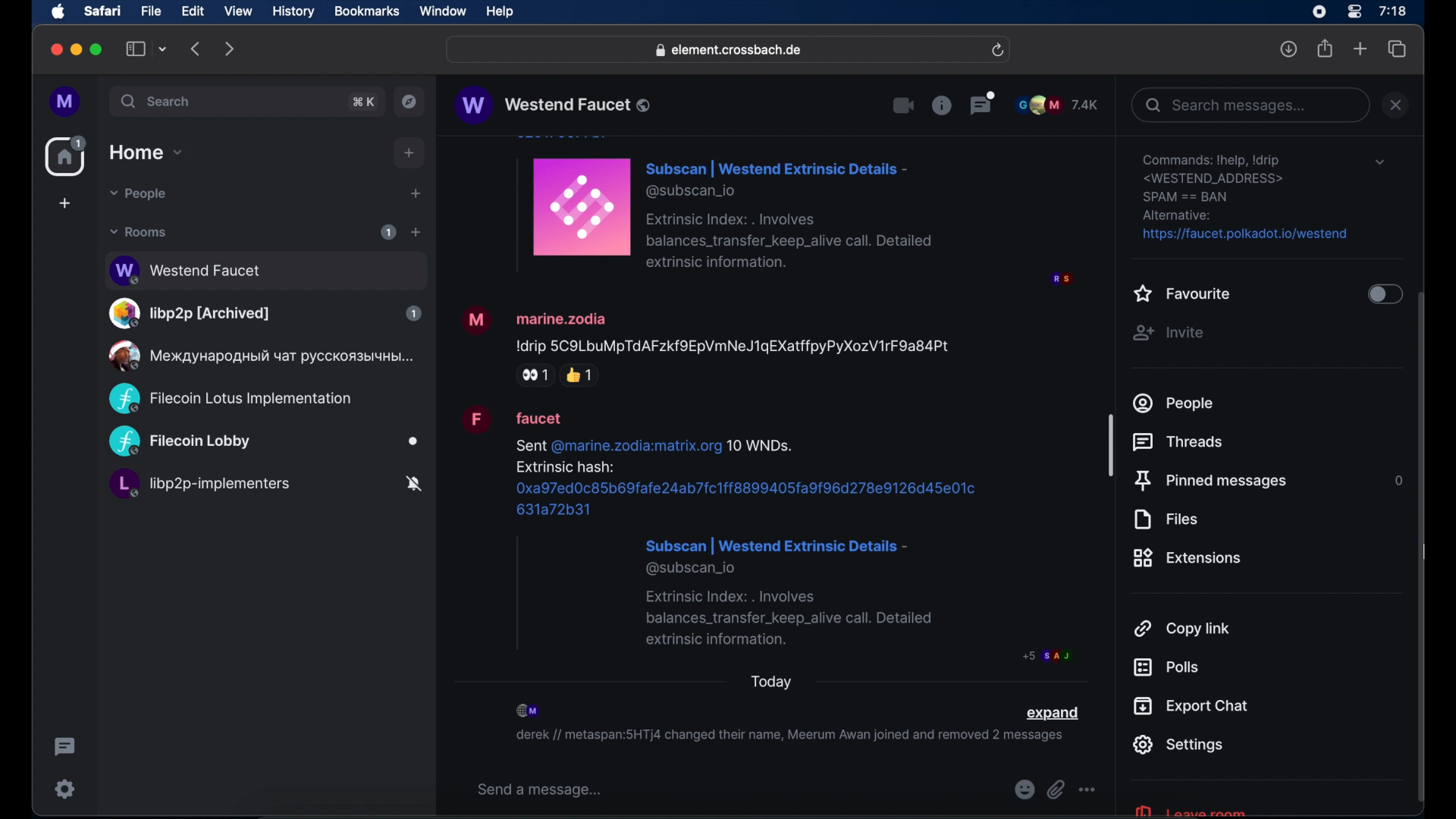  What do you see at coordinates (1183, 295) in the screenshot?
I see `favorite` at bounding box center [1183, 295].